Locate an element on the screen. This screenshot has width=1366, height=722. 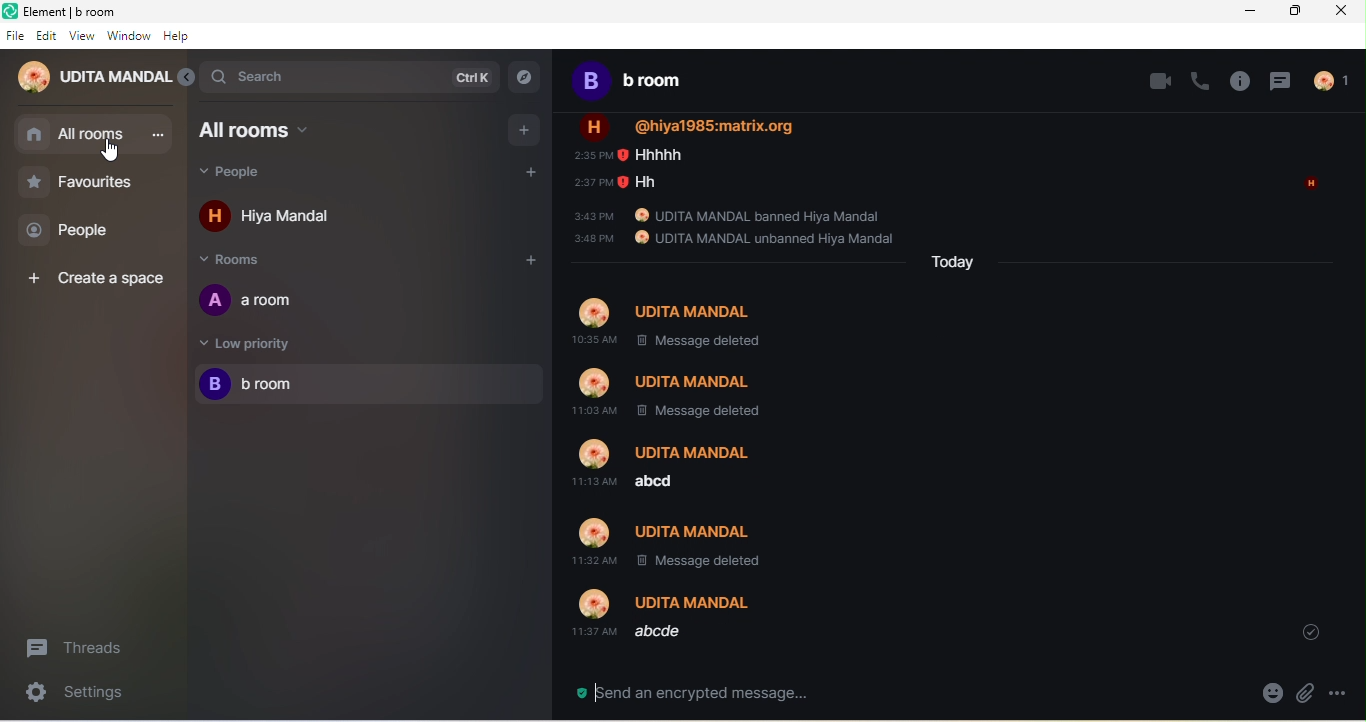
all rooms is located at coordinates (94, 134).